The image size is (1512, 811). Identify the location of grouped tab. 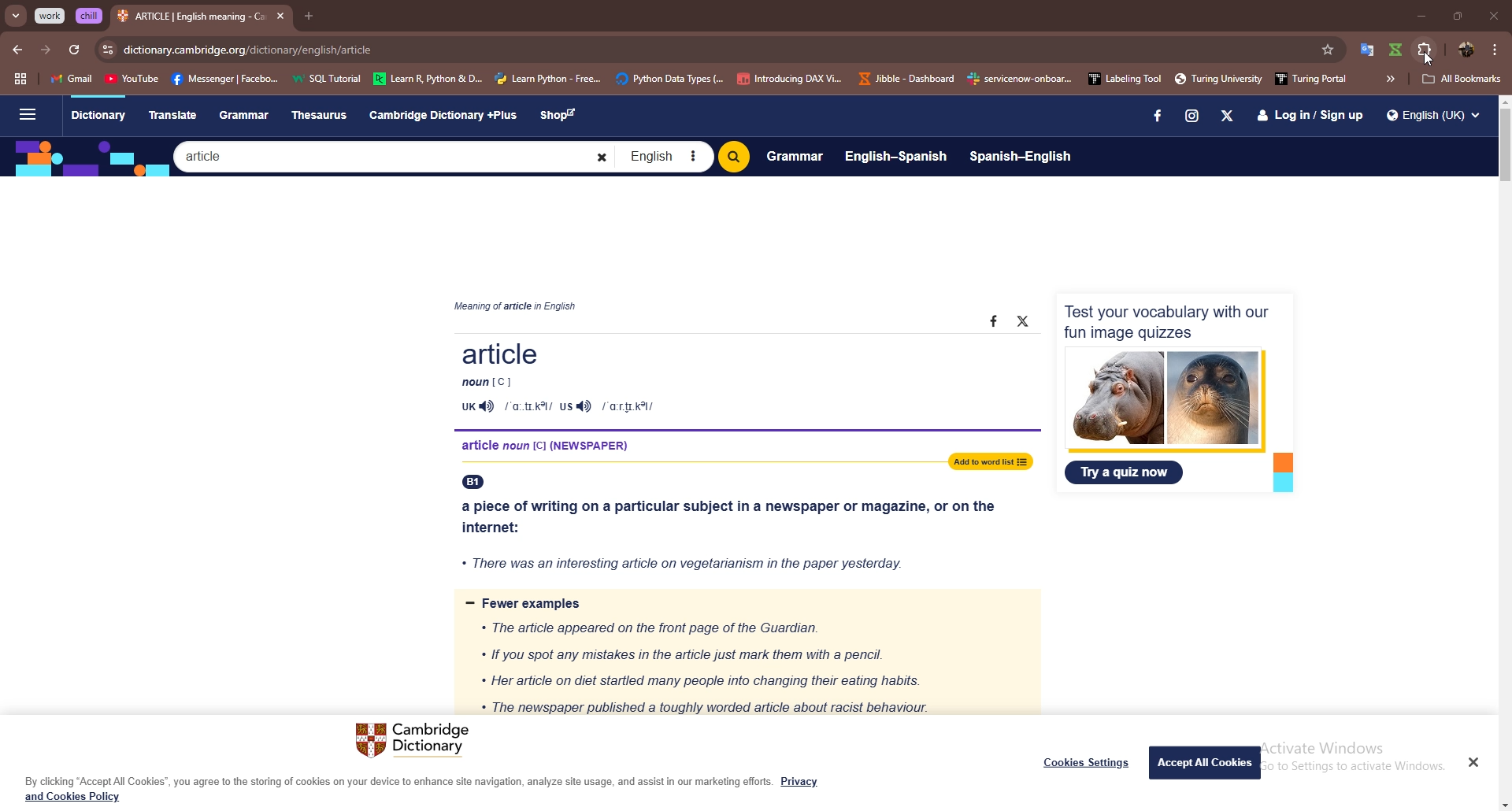
(51, 16).